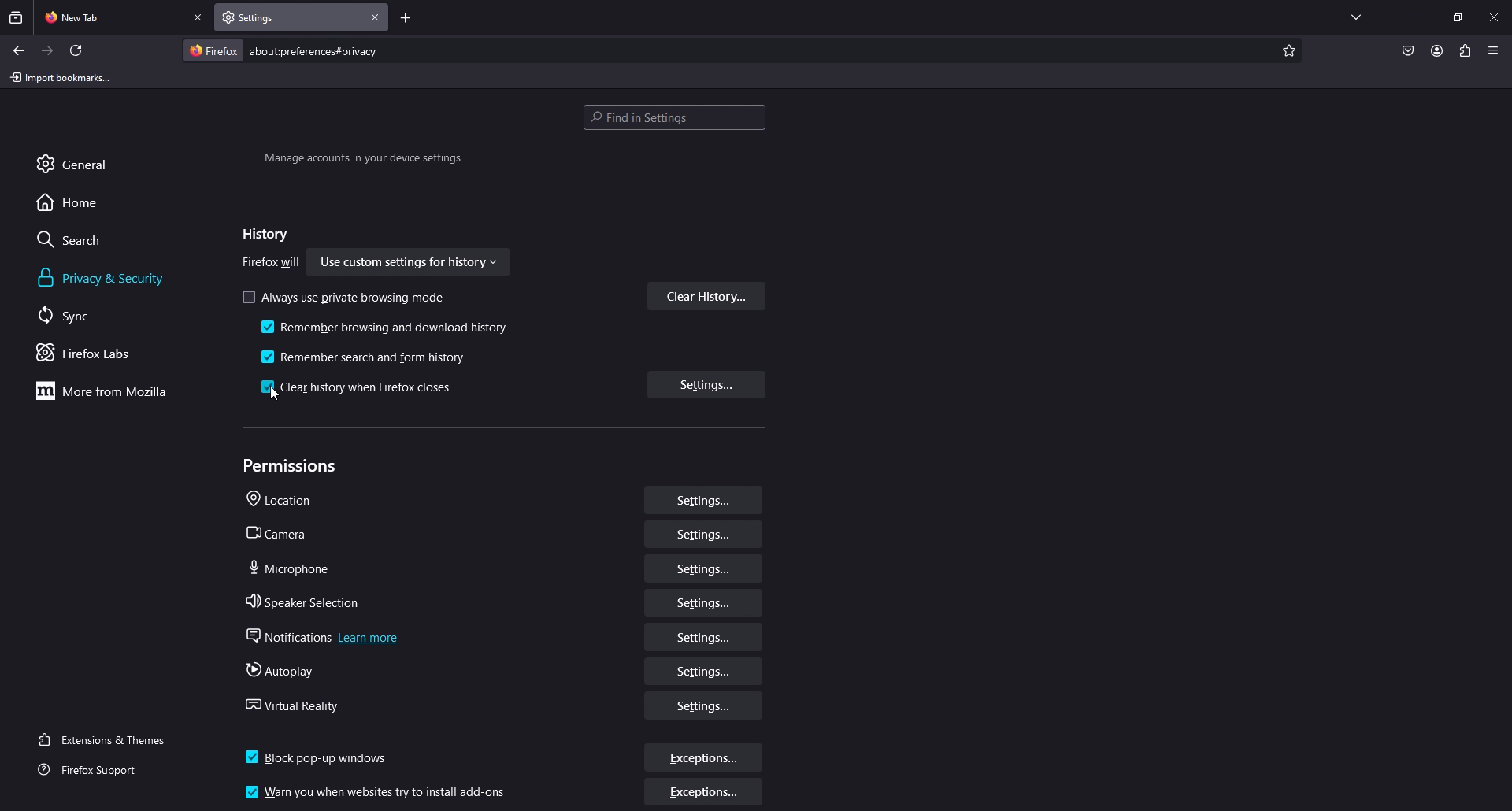  I want to click on settings, so click(702, 671).